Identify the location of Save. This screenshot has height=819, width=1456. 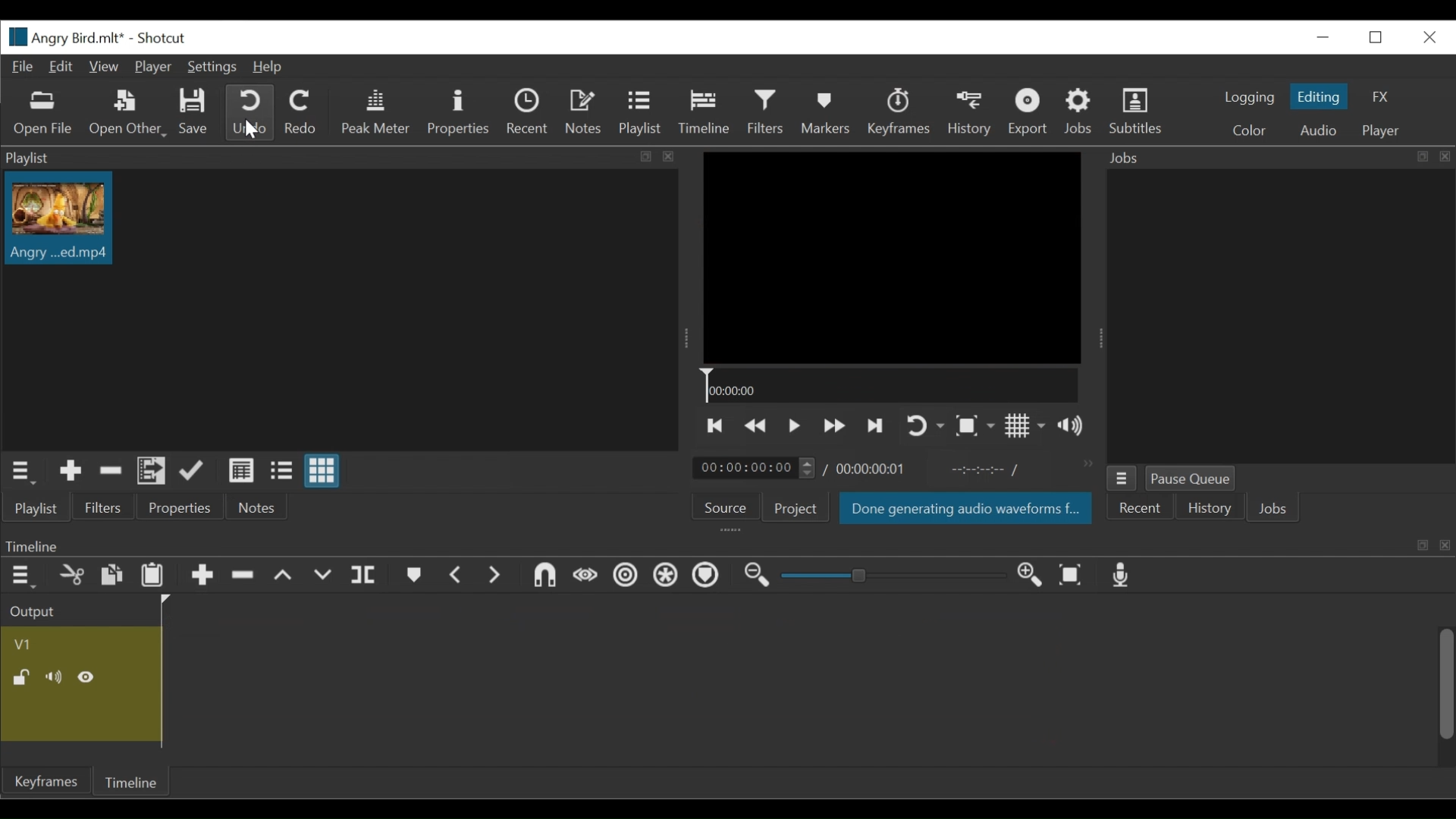
(192, 111).